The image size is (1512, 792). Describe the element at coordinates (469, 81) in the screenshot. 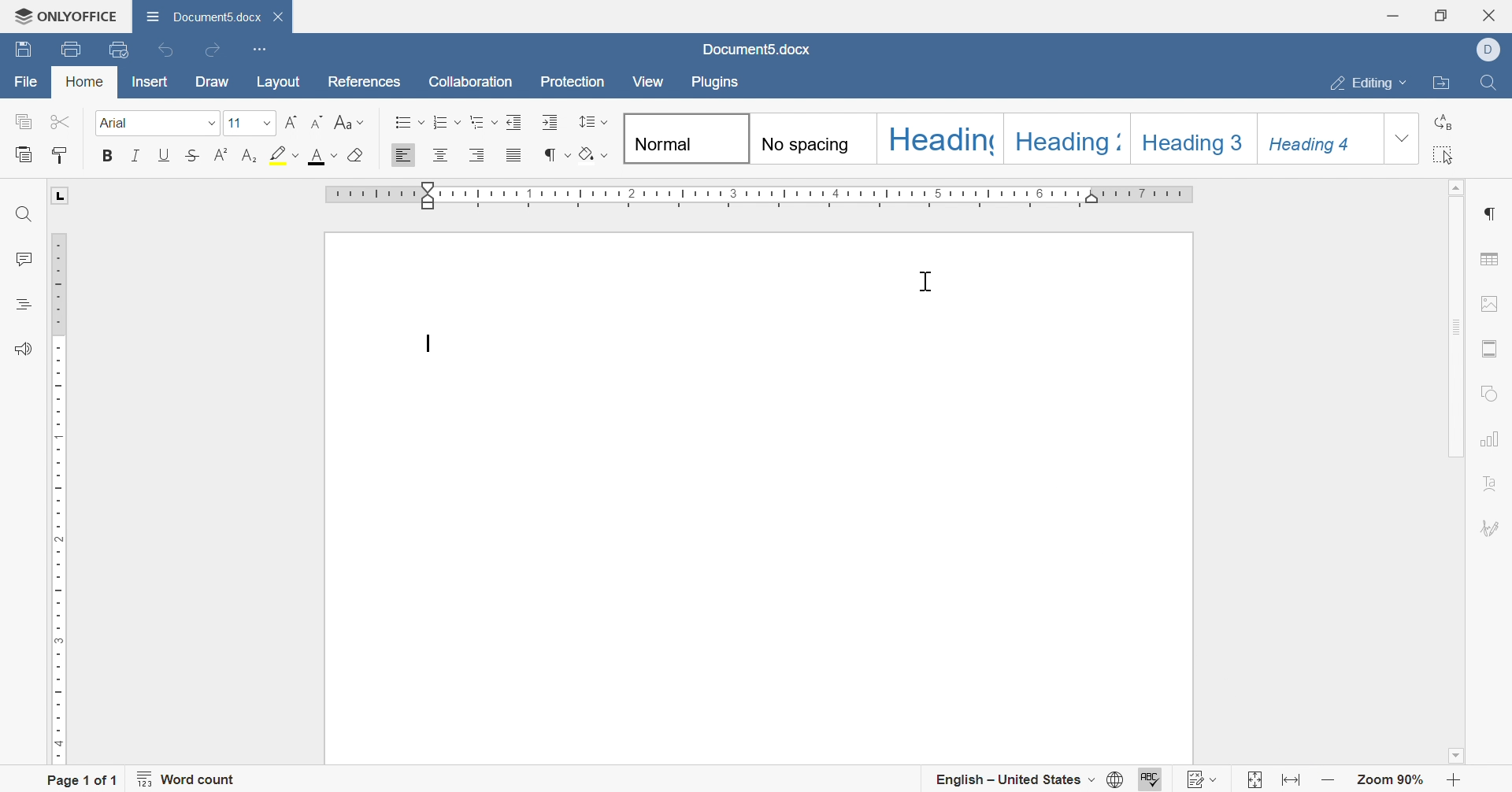

I see `collaboration` at that location.